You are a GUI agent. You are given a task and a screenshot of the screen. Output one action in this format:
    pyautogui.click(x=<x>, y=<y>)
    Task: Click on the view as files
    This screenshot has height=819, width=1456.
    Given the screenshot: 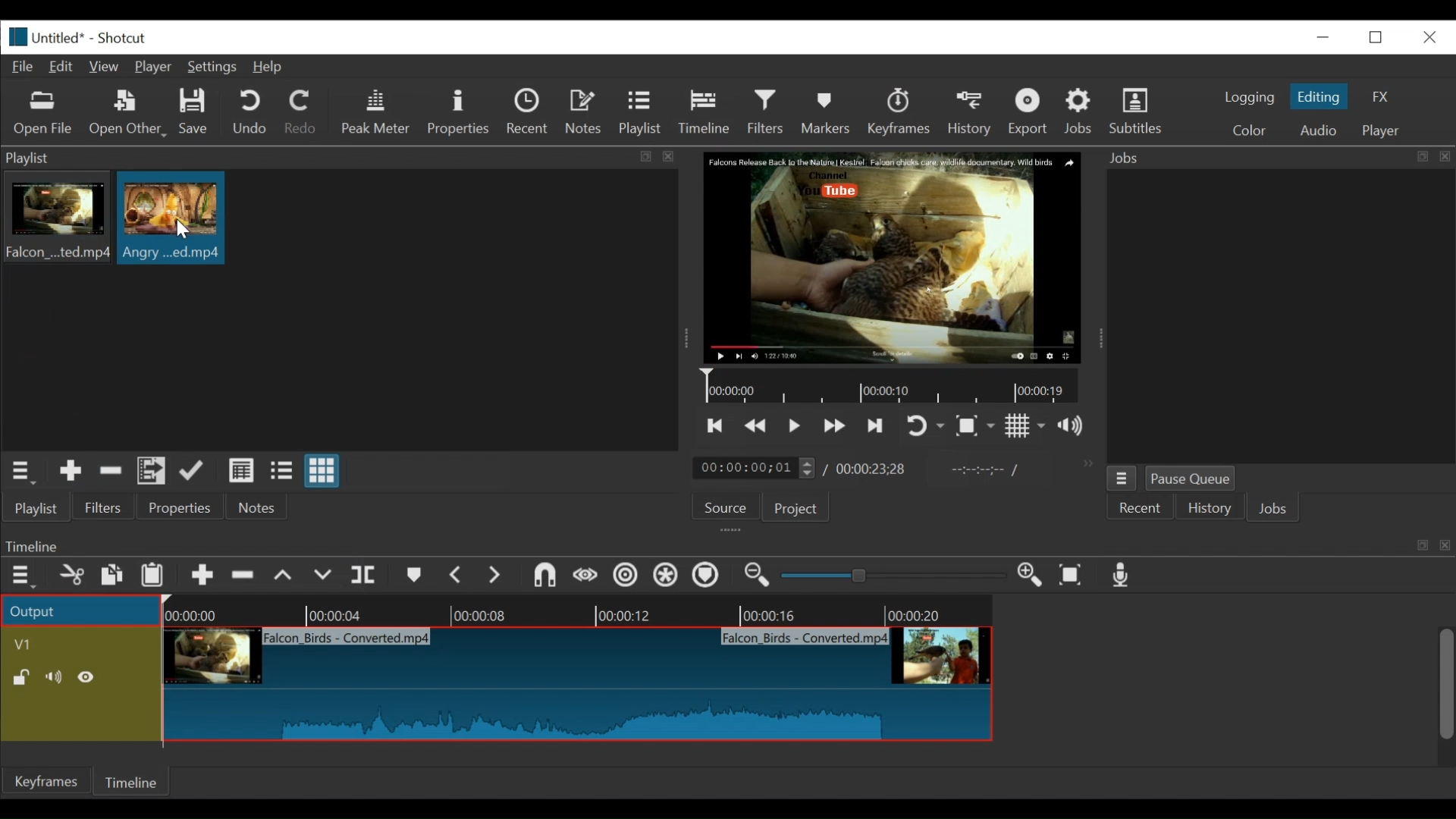 What is the action you would take?
    pyautogui.click(x=283, y=470)
    